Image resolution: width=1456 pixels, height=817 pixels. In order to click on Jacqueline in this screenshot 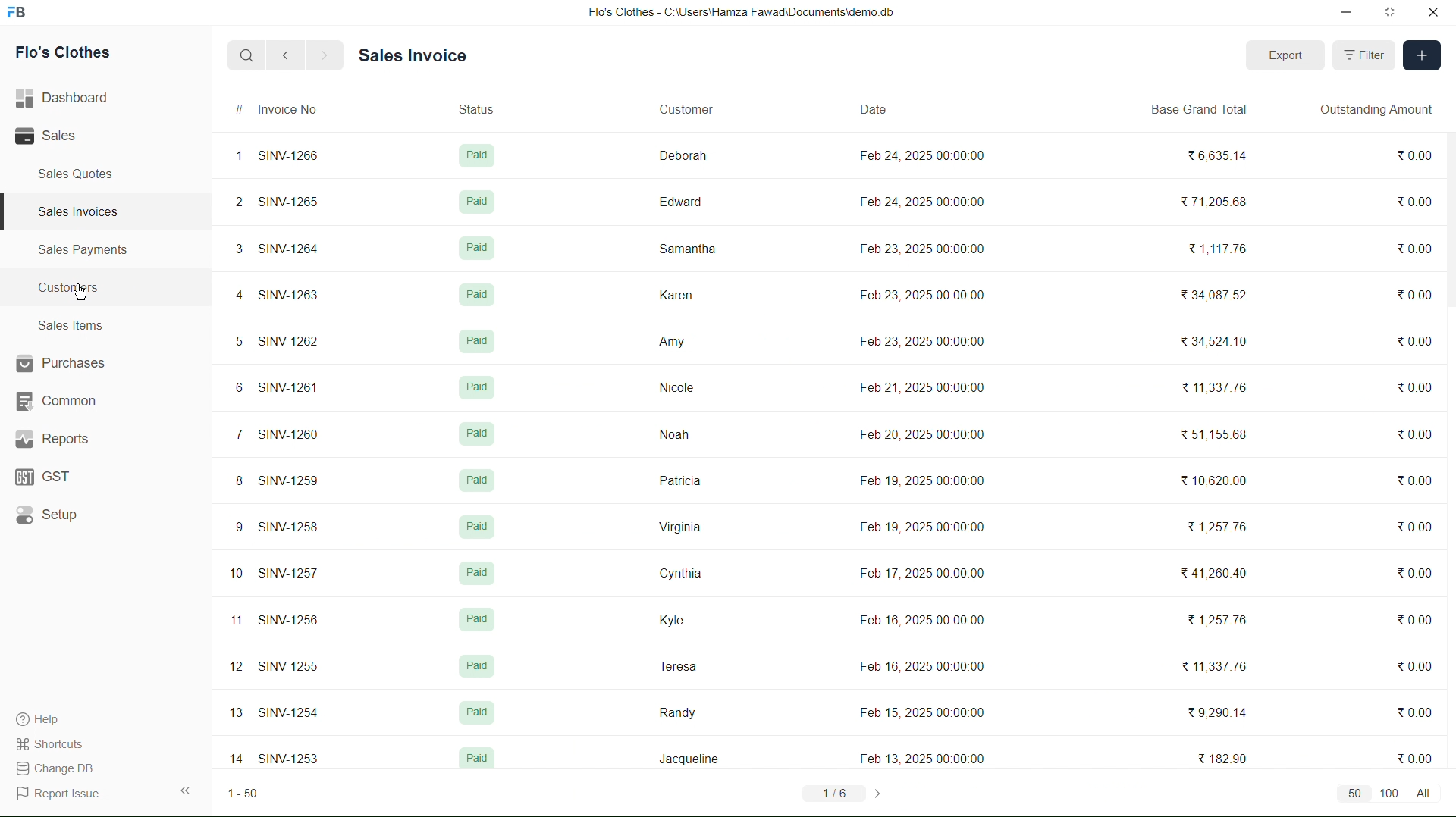, I will do `click(689, 756)`.